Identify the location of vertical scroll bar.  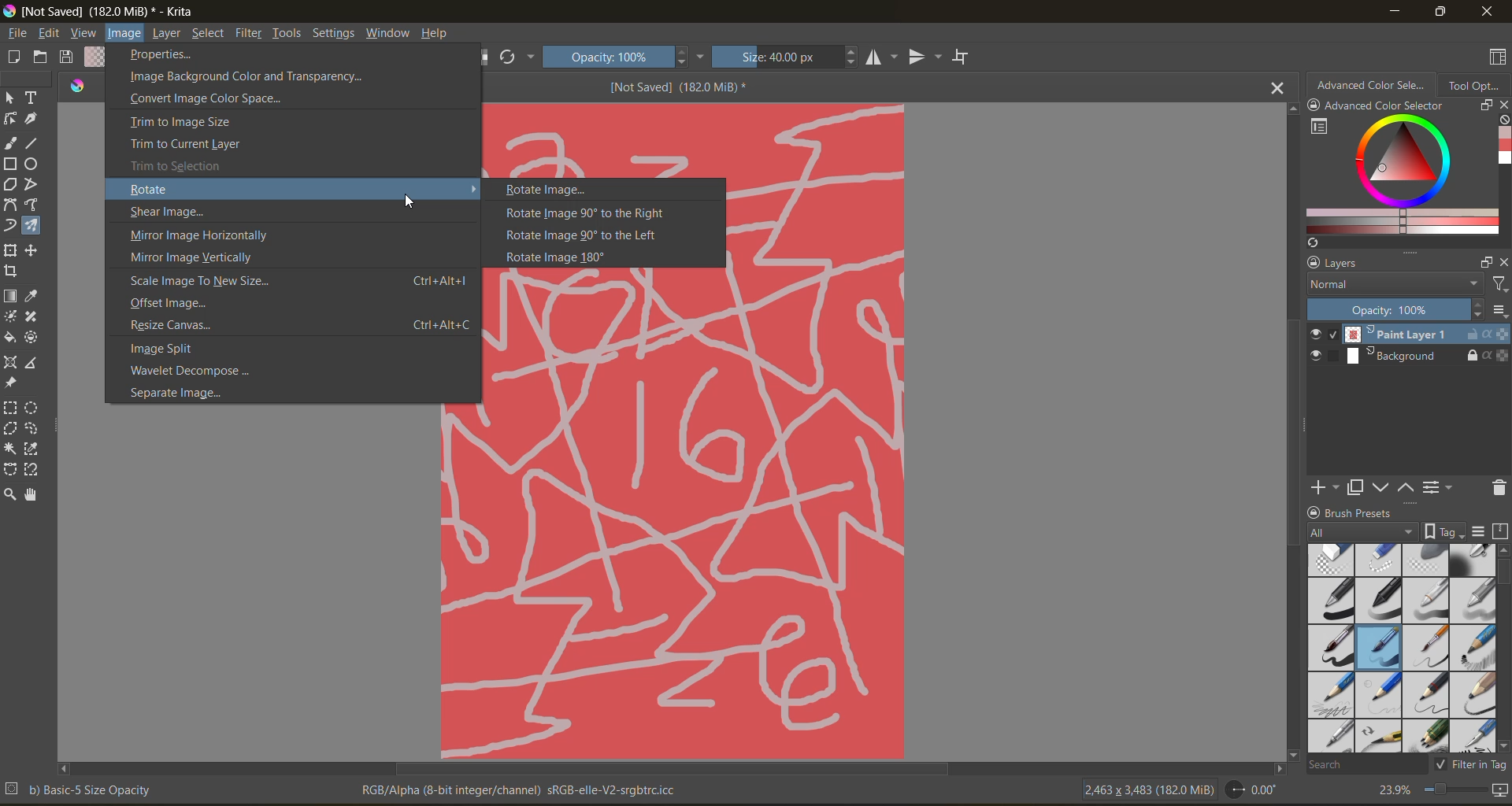
(1295, 445).